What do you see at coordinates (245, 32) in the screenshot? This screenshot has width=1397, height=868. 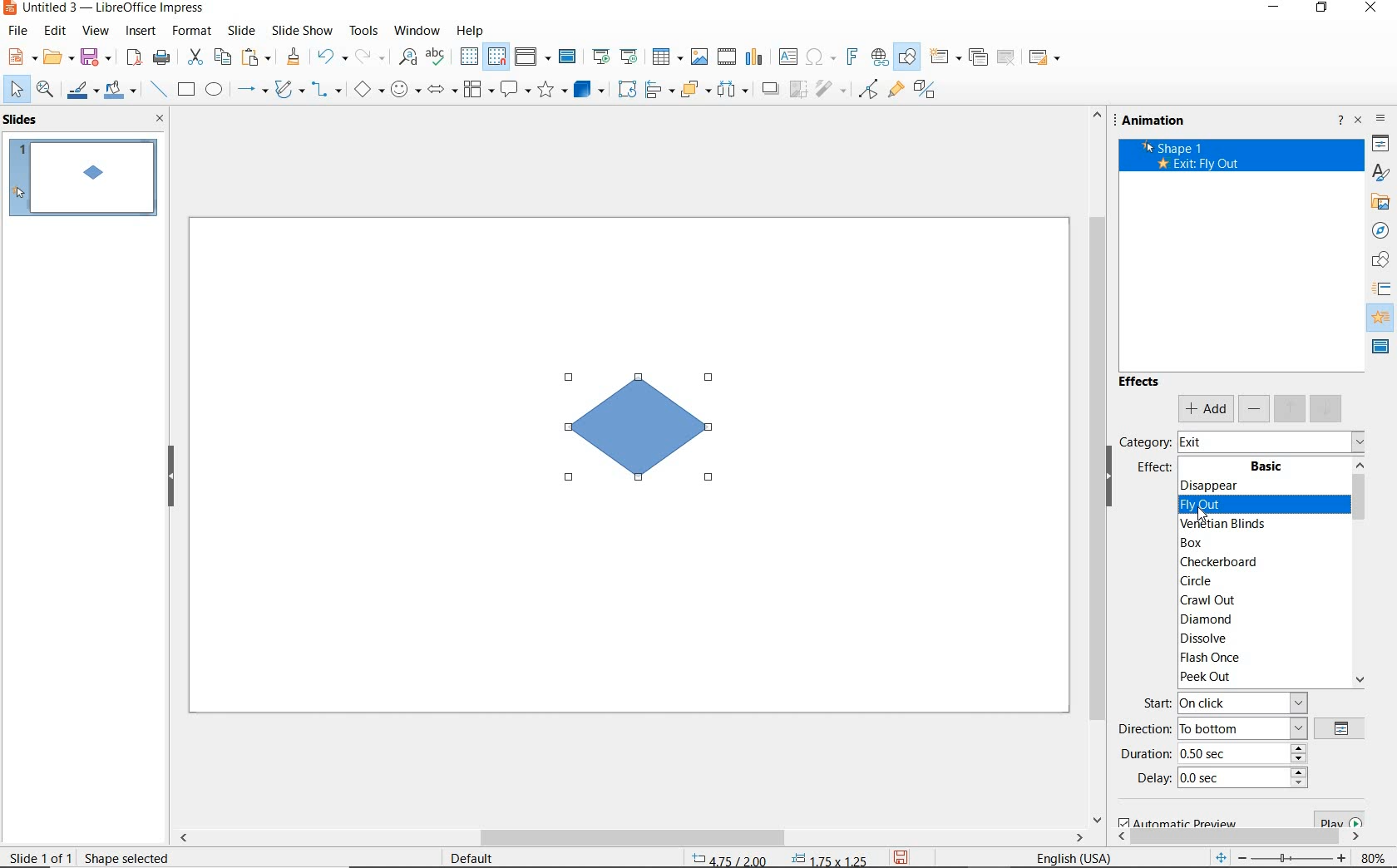 I see `slide` at bounding box center [245, 32].